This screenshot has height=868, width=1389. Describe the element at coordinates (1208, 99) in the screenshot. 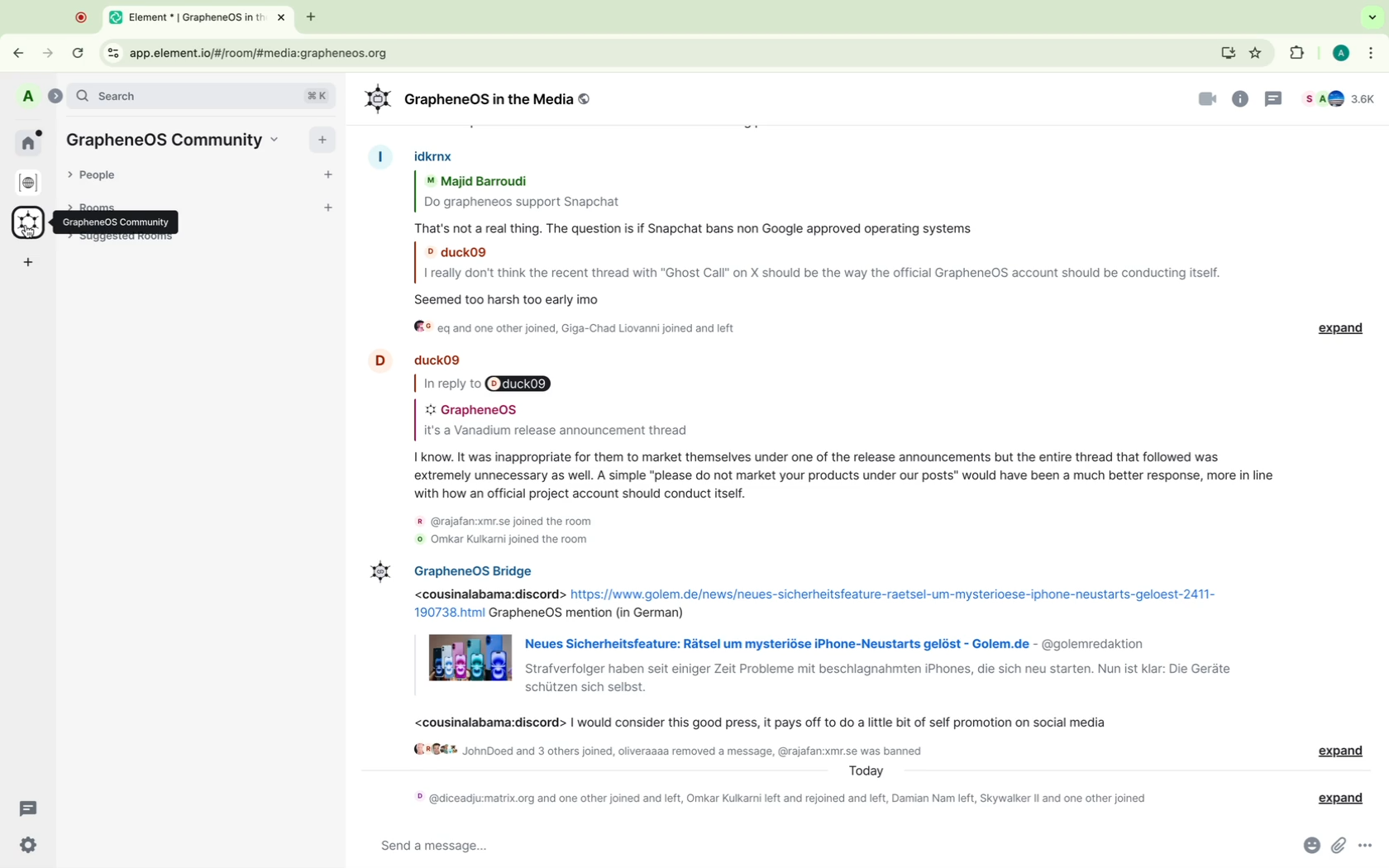

I see `video` at that location.